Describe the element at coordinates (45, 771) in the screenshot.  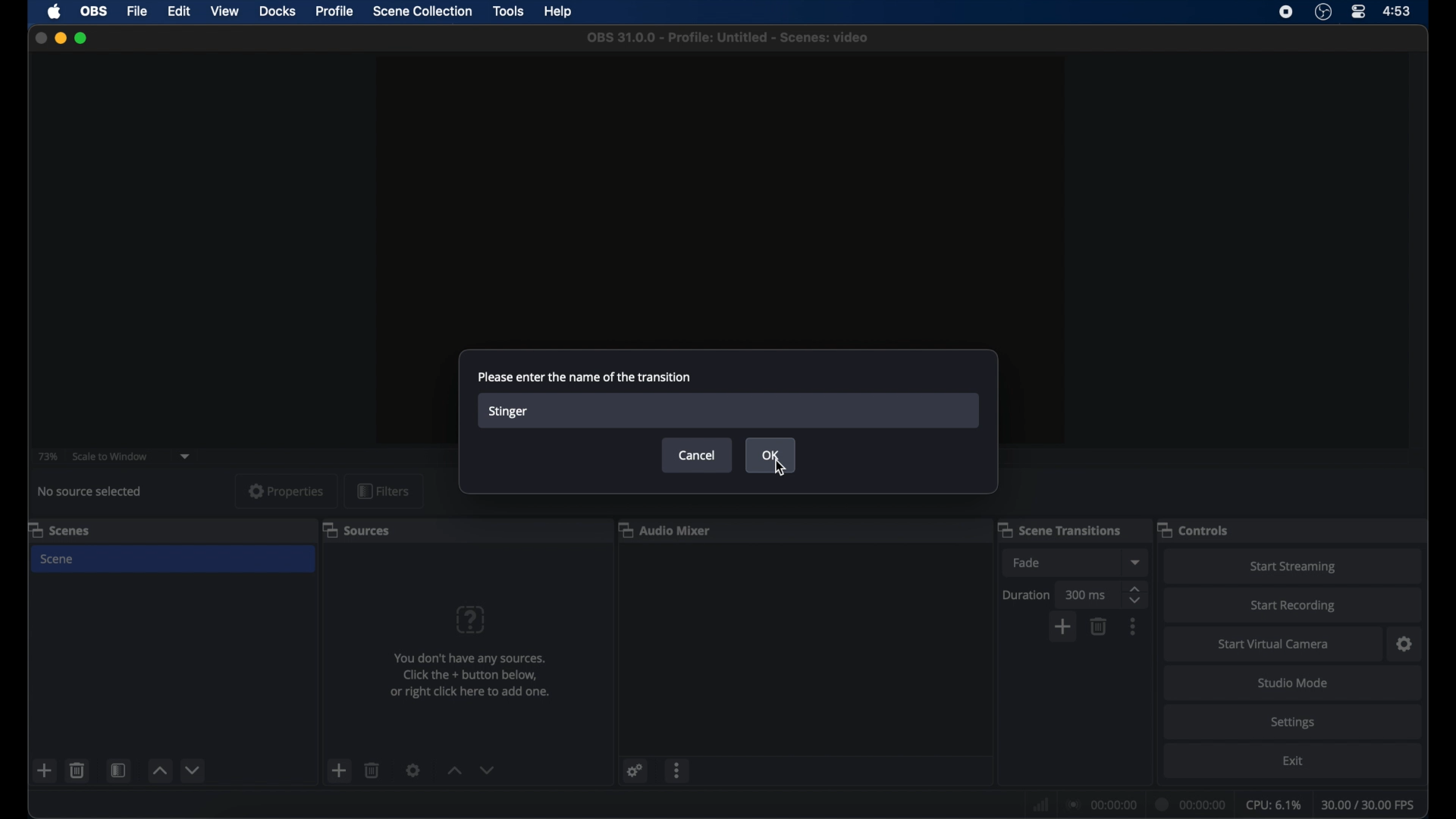
I see `add` at that location.